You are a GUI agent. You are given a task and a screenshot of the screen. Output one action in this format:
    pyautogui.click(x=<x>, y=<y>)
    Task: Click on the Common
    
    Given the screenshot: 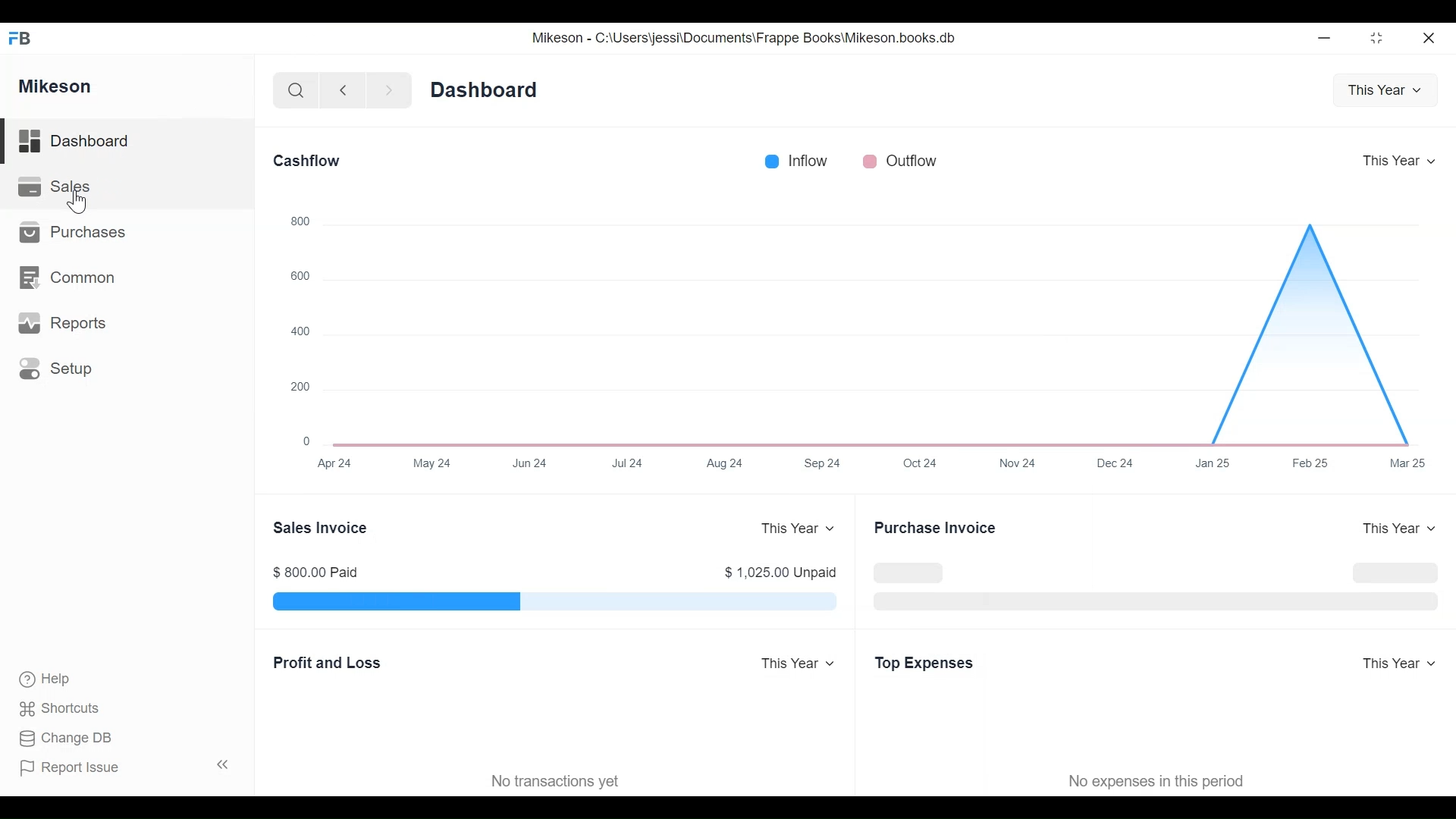 What is the action you would take?
    pyautogui.click(x=75, y=281)
    